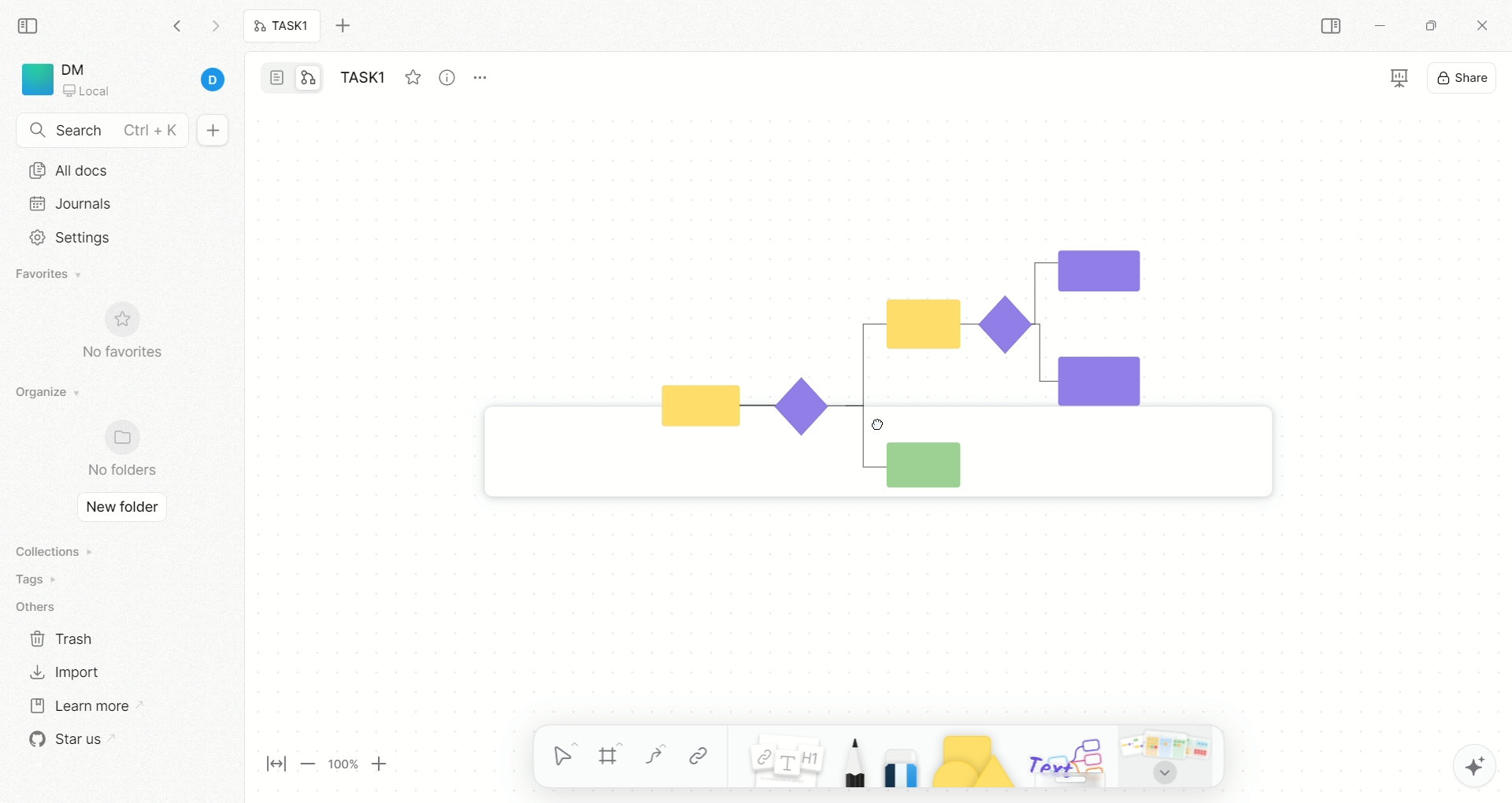  What do you see at coordinates (565, 758) in the screenshot?
I see `selection` at bounding box center [565, 758].